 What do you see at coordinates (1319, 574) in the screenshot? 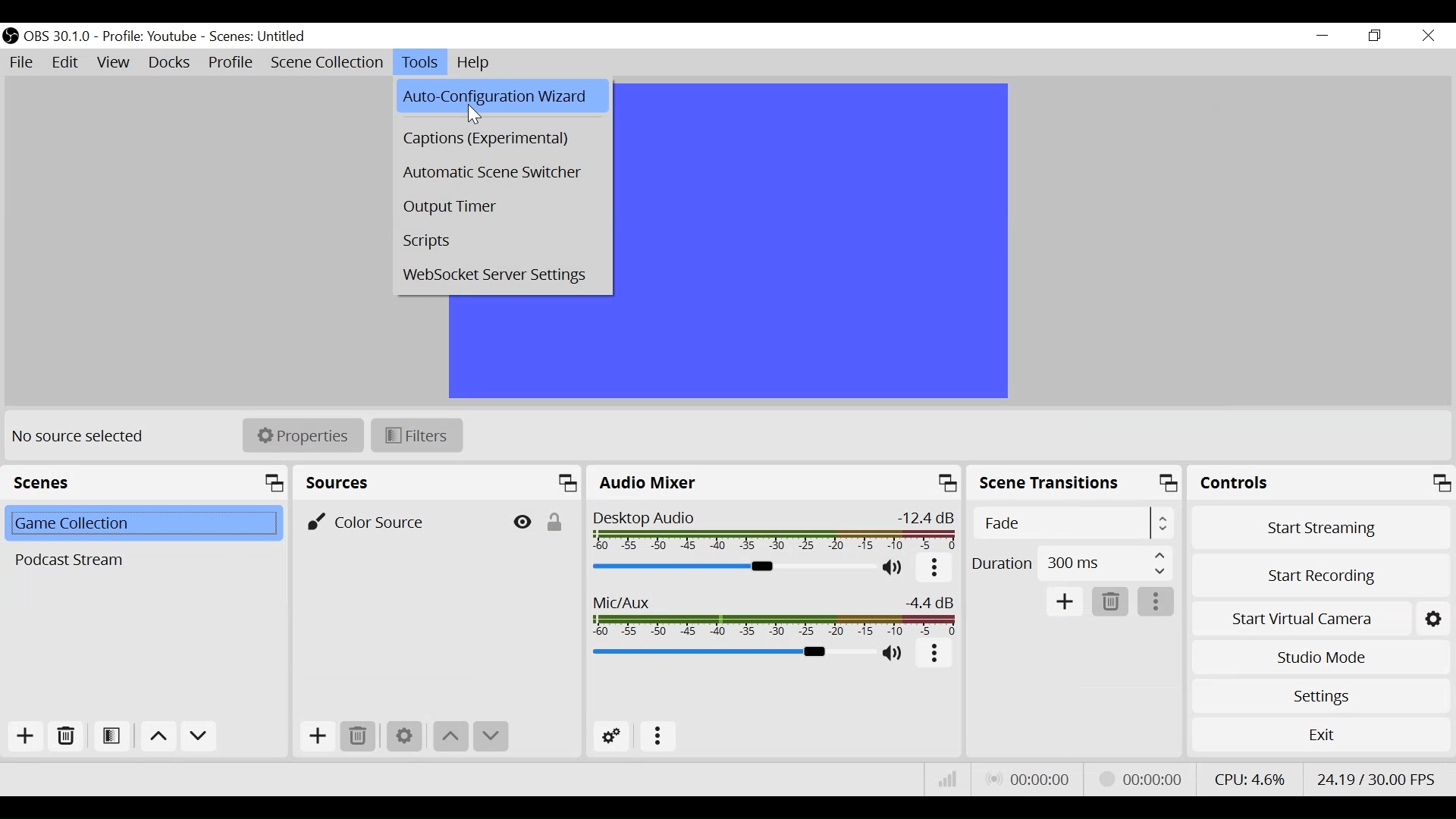
I see `Start Recording` at bounding box center [1319, 574].